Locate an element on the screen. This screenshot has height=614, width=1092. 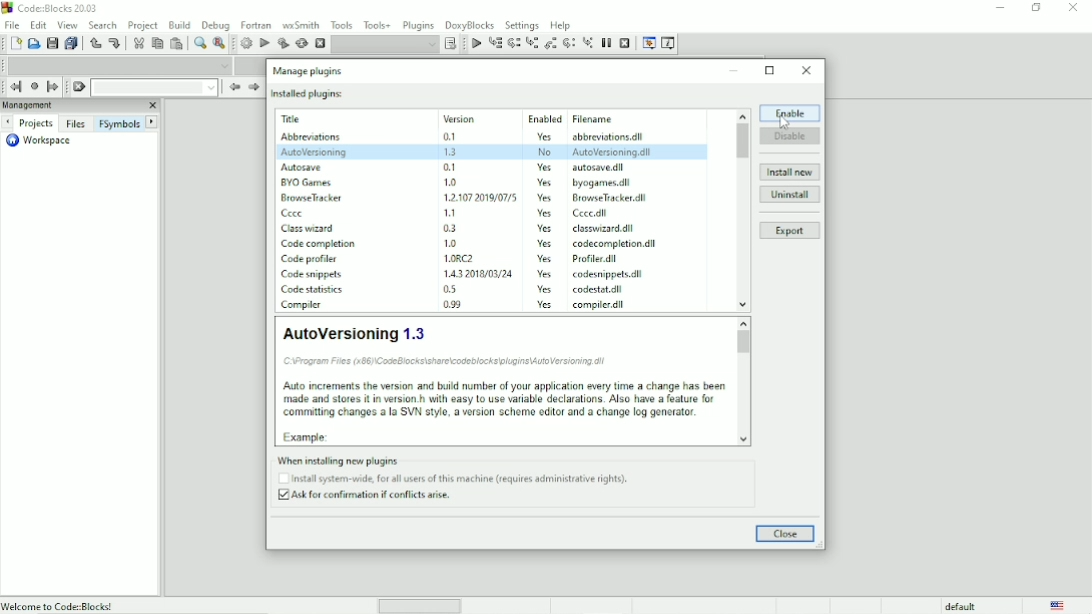
file is located at coordinates (617, 245).